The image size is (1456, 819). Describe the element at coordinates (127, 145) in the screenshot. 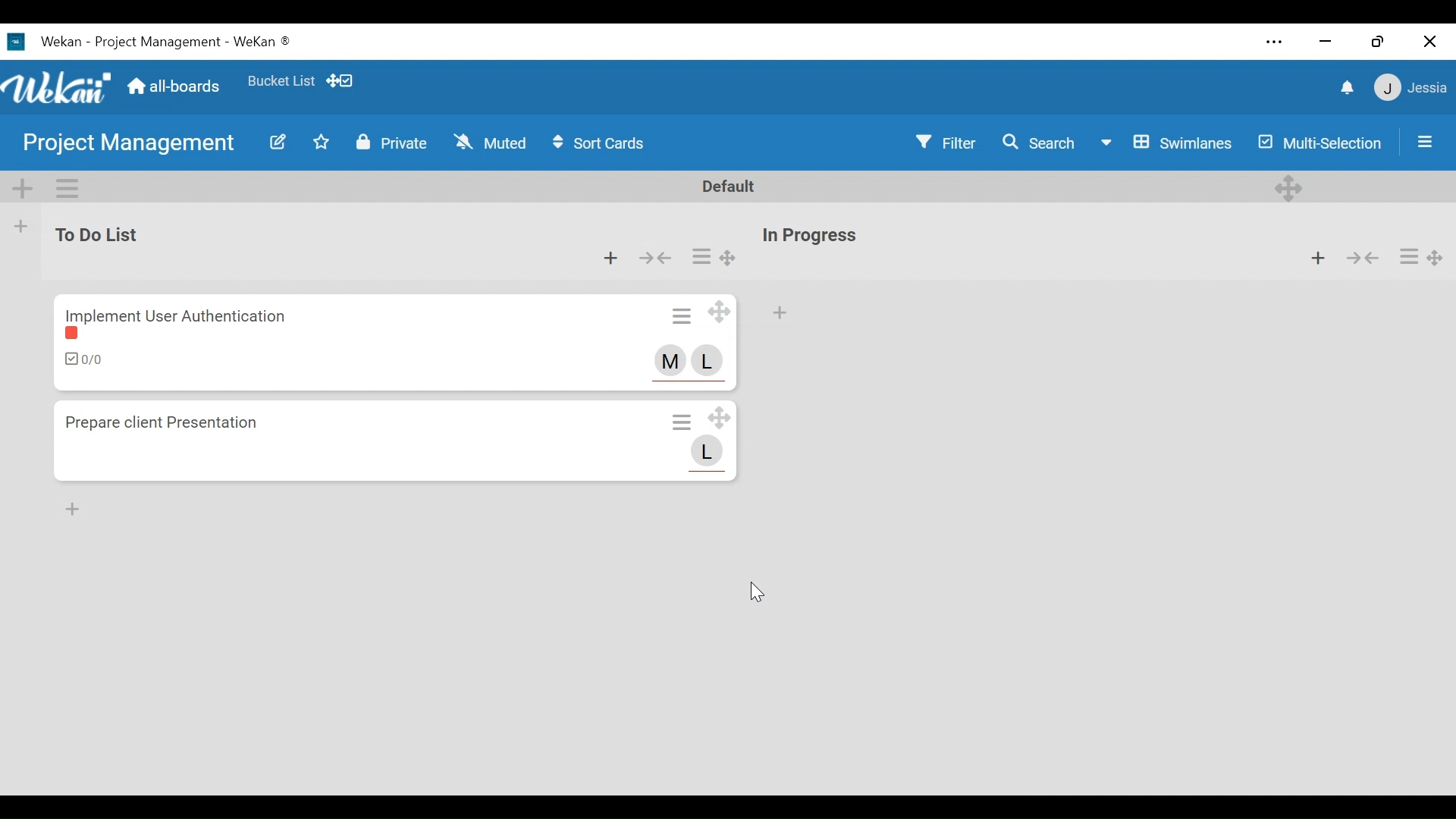

I see `Board Name` at that location.